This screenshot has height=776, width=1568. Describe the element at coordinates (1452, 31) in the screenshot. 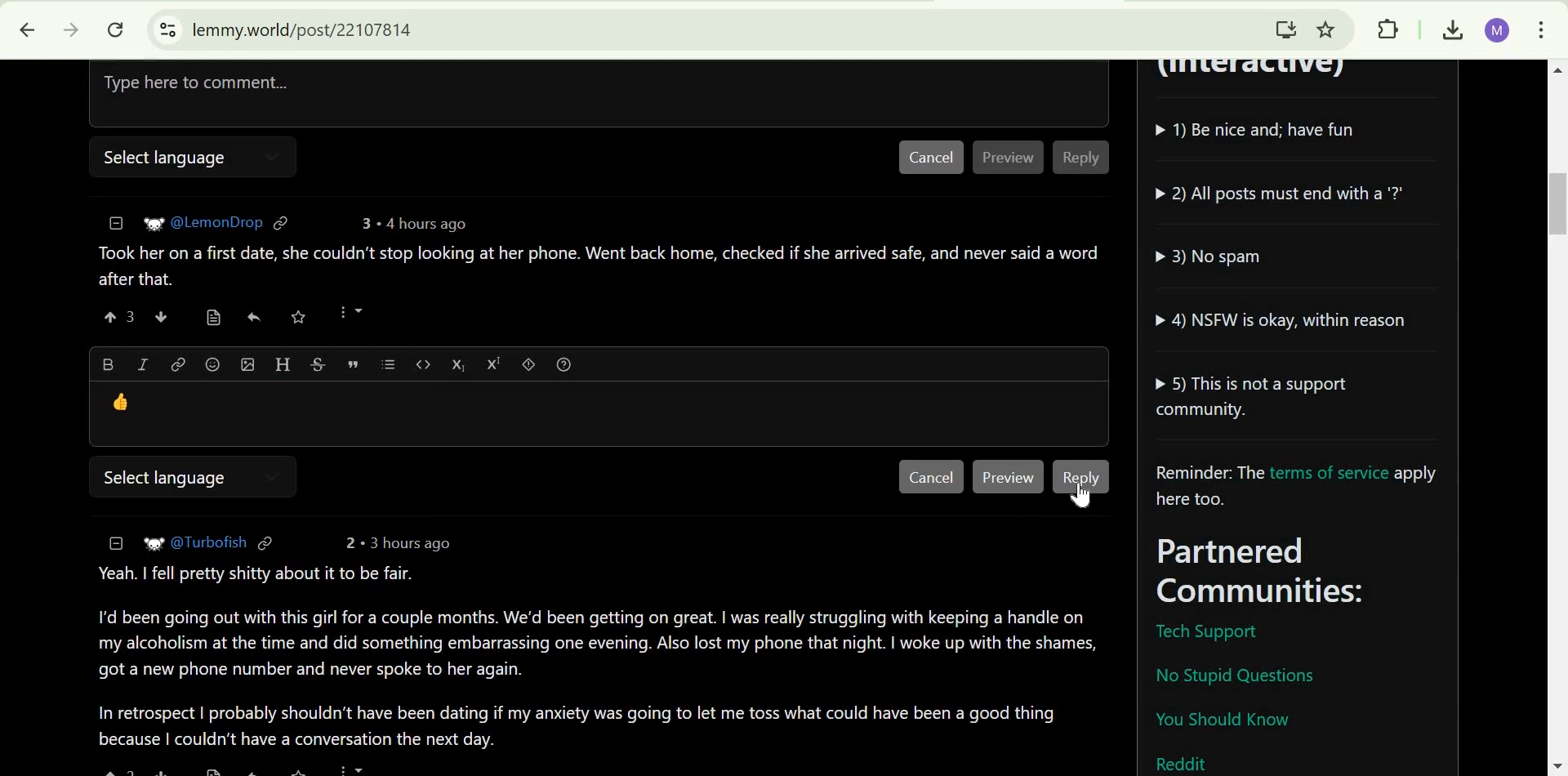

I see `Downloads` at that location.